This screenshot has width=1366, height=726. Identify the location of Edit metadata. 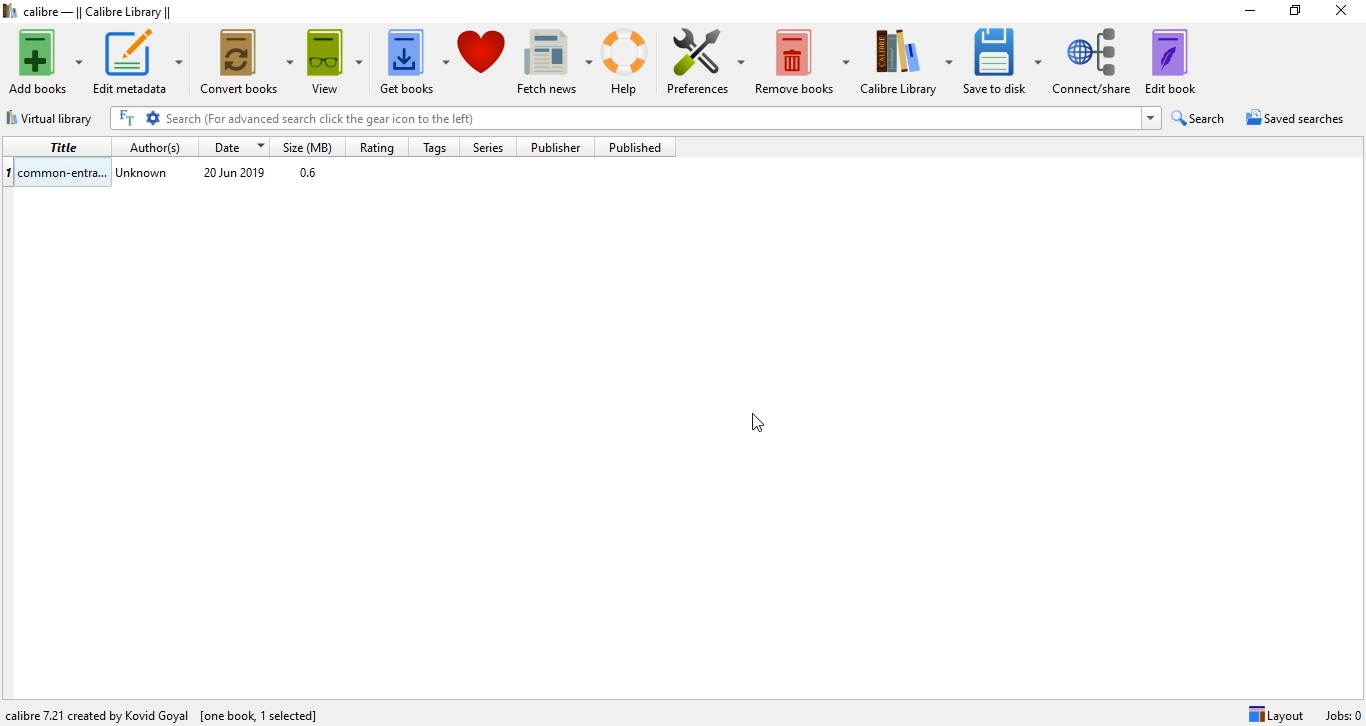
(140, 62).